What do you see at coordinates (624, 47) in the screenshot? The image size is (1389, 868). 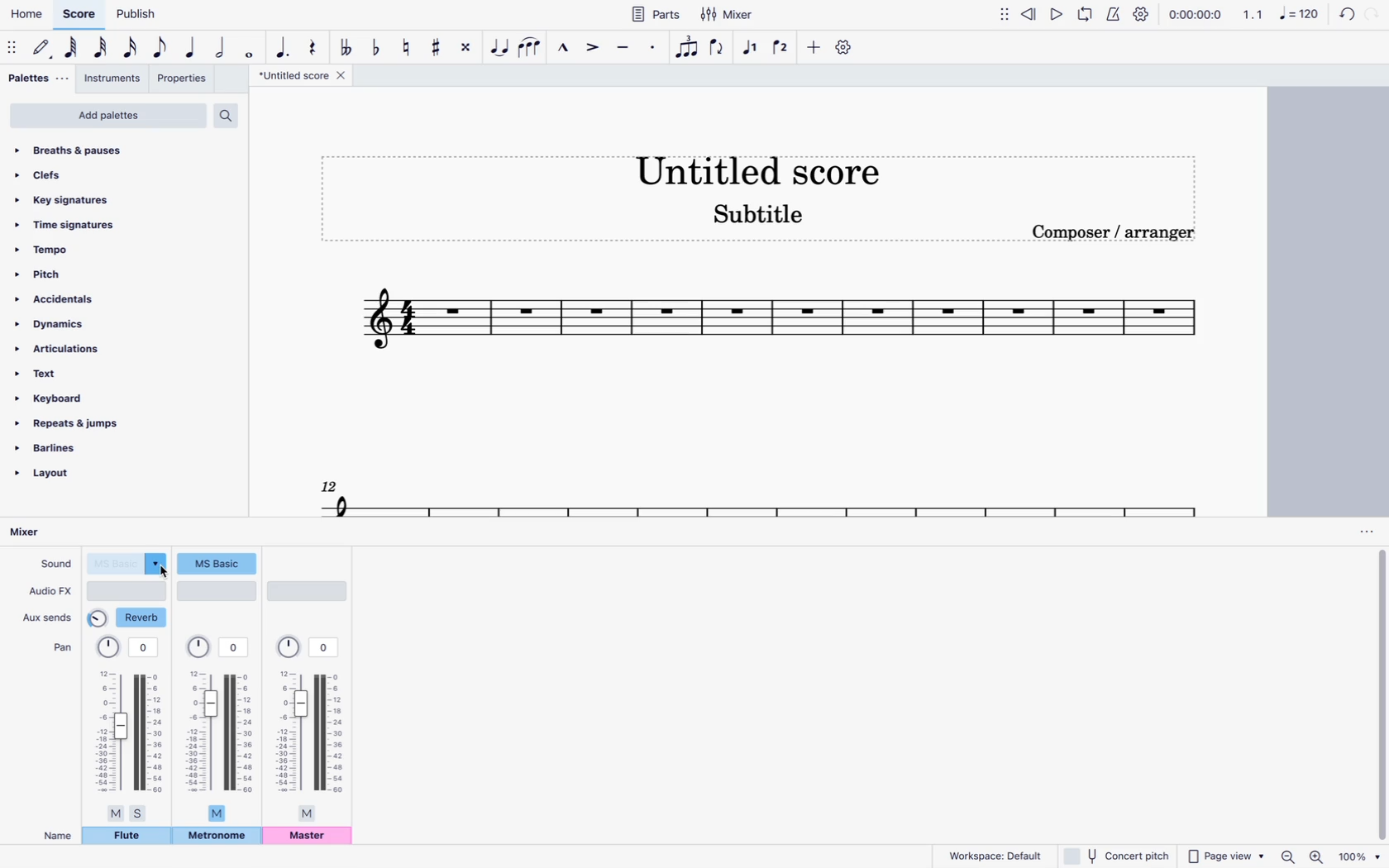 I see `tenuto` at bounding box center [624, 47].